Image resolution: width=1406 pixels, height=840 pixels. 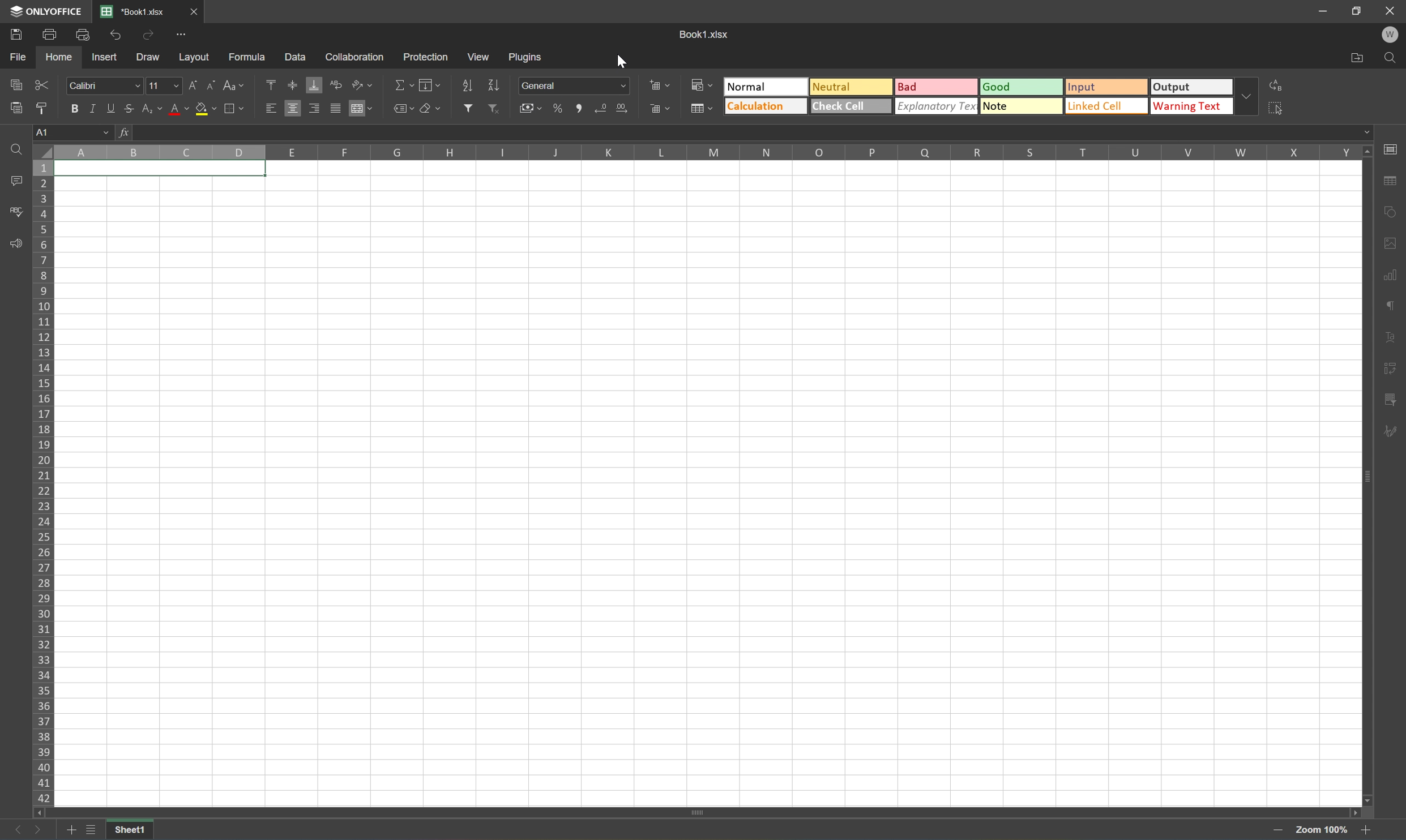 What do you see at coordinates (1393, 149) in the screenshot?
I see `Slide settings` at bounding box center [1393, 149].